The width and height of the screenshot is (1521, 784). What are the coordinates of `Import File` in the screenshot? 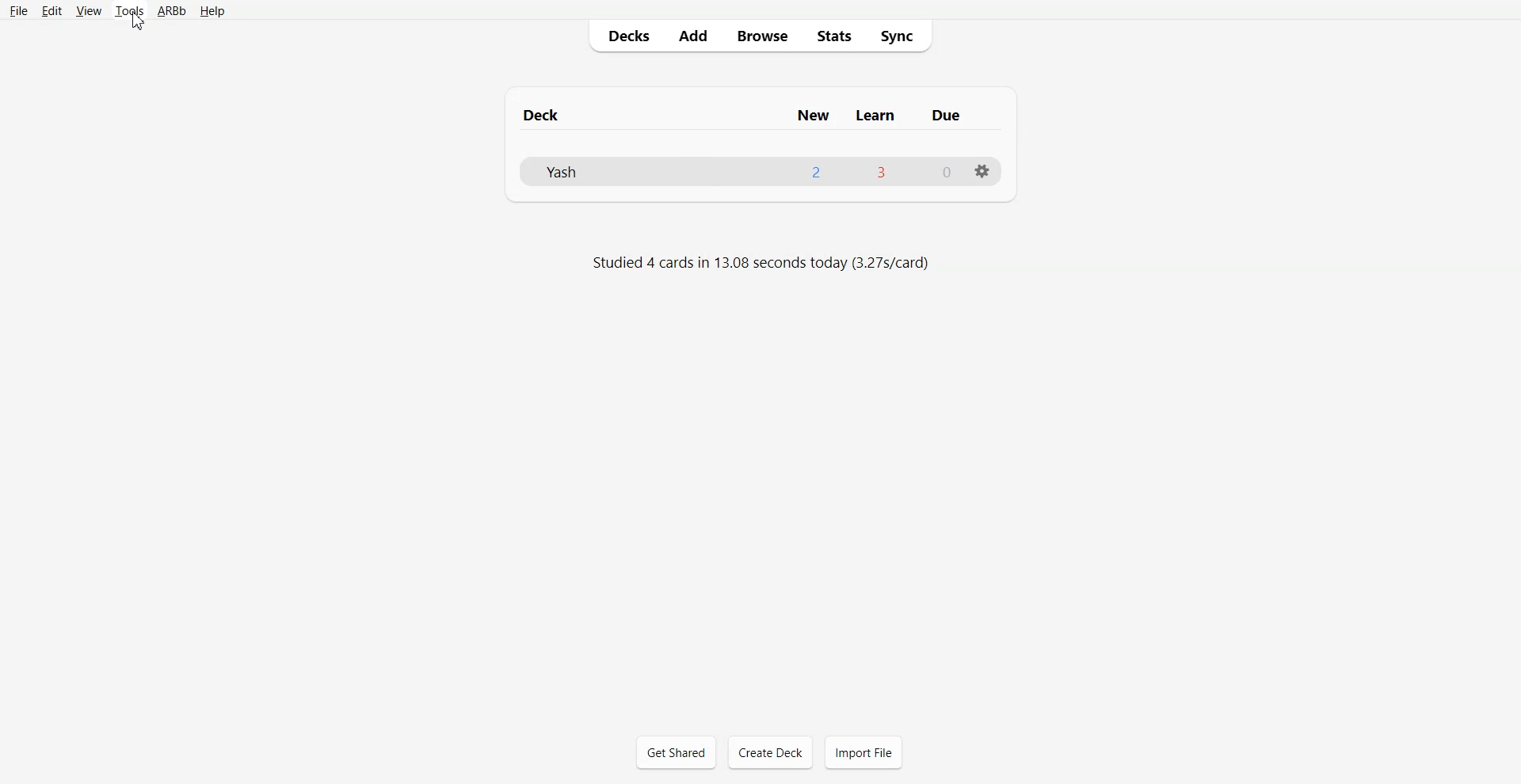 It's located at (863, 752).